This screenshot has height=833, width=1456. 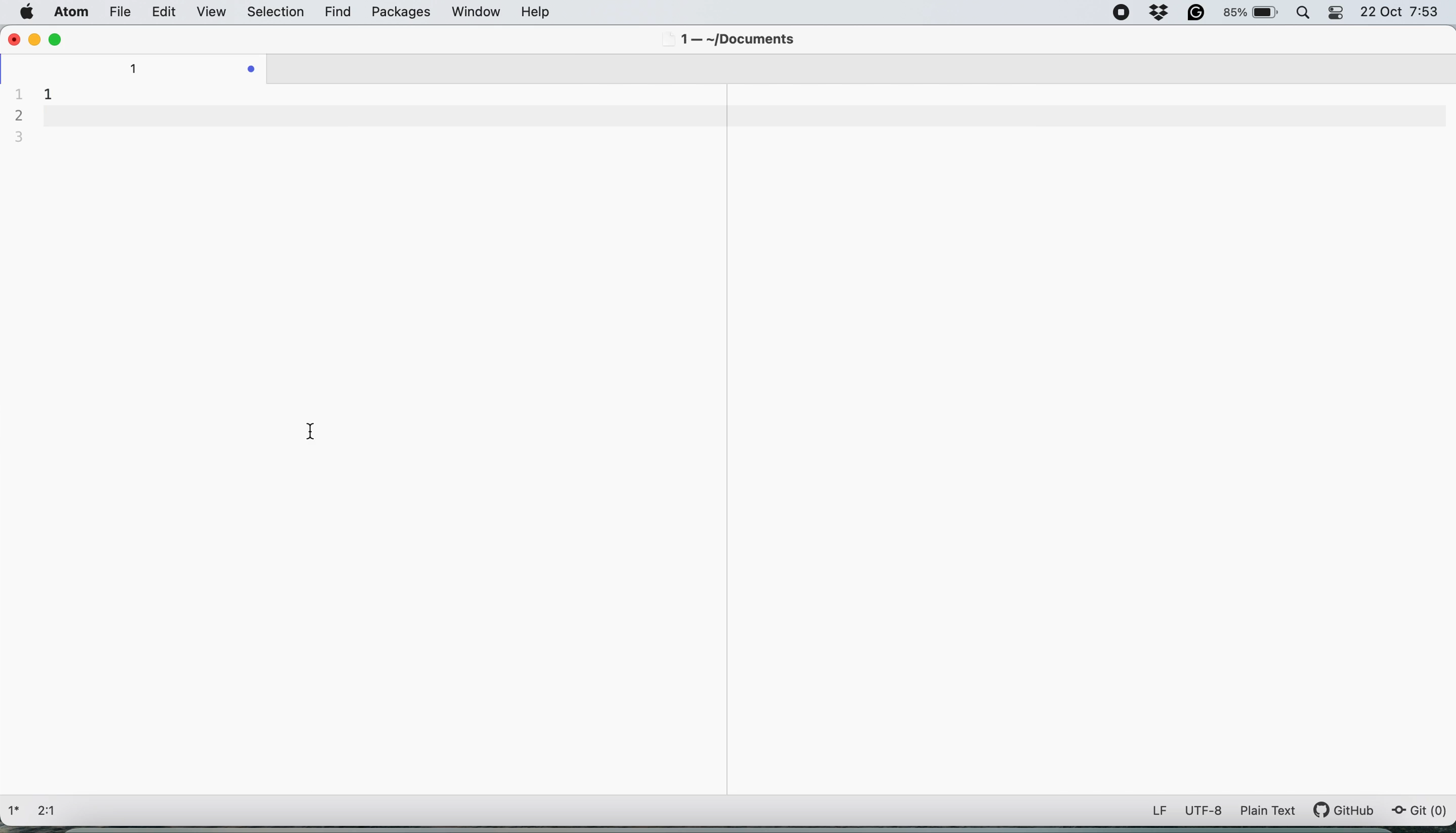 What do you see at coordinates (551, 11) in the screenshot?
I see `help` at bounding box center [551, 11].